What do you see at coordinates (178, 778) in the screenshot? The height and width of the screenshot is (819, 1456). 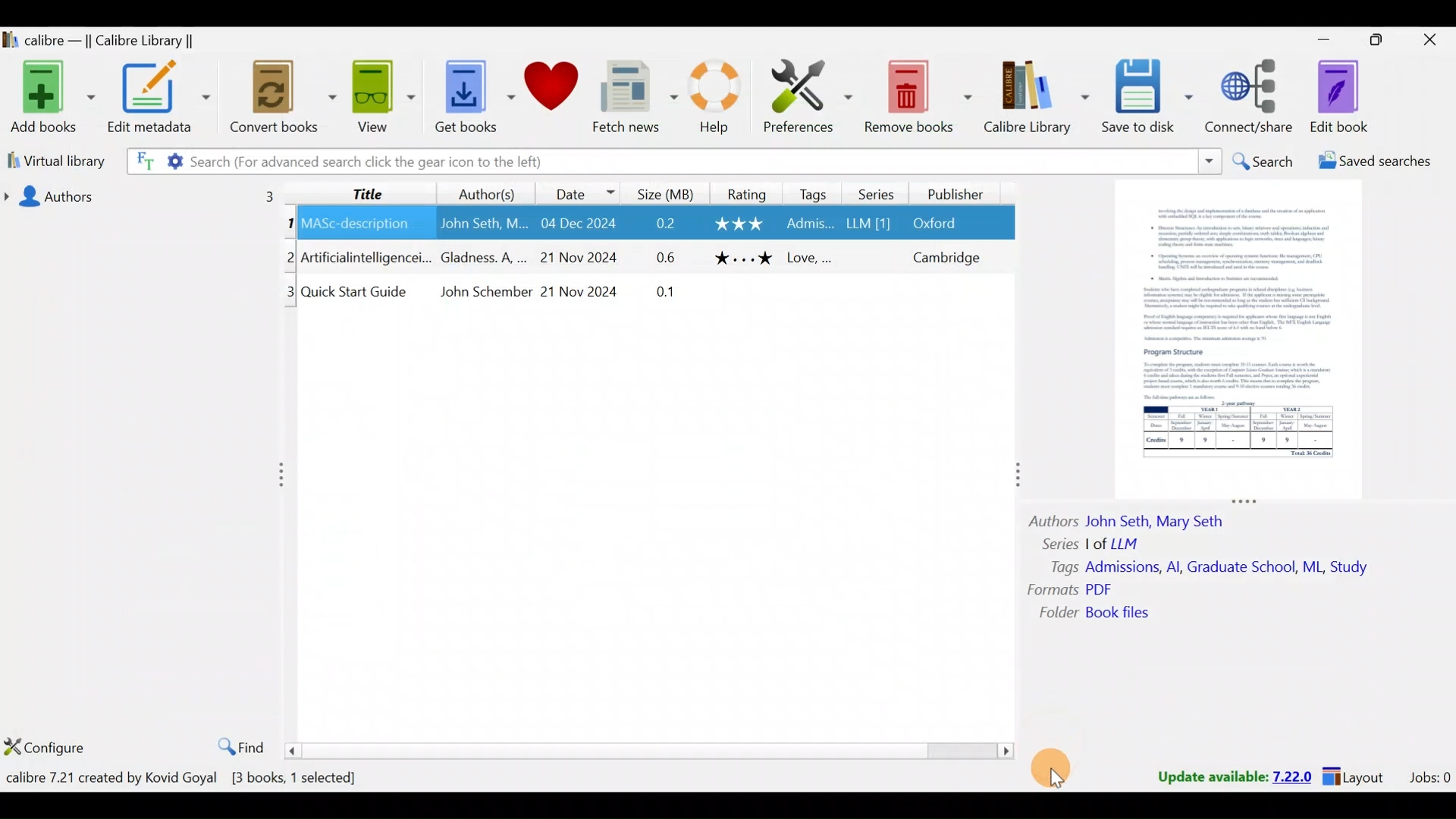 I see `Books count` at bounding box center [178, 778].